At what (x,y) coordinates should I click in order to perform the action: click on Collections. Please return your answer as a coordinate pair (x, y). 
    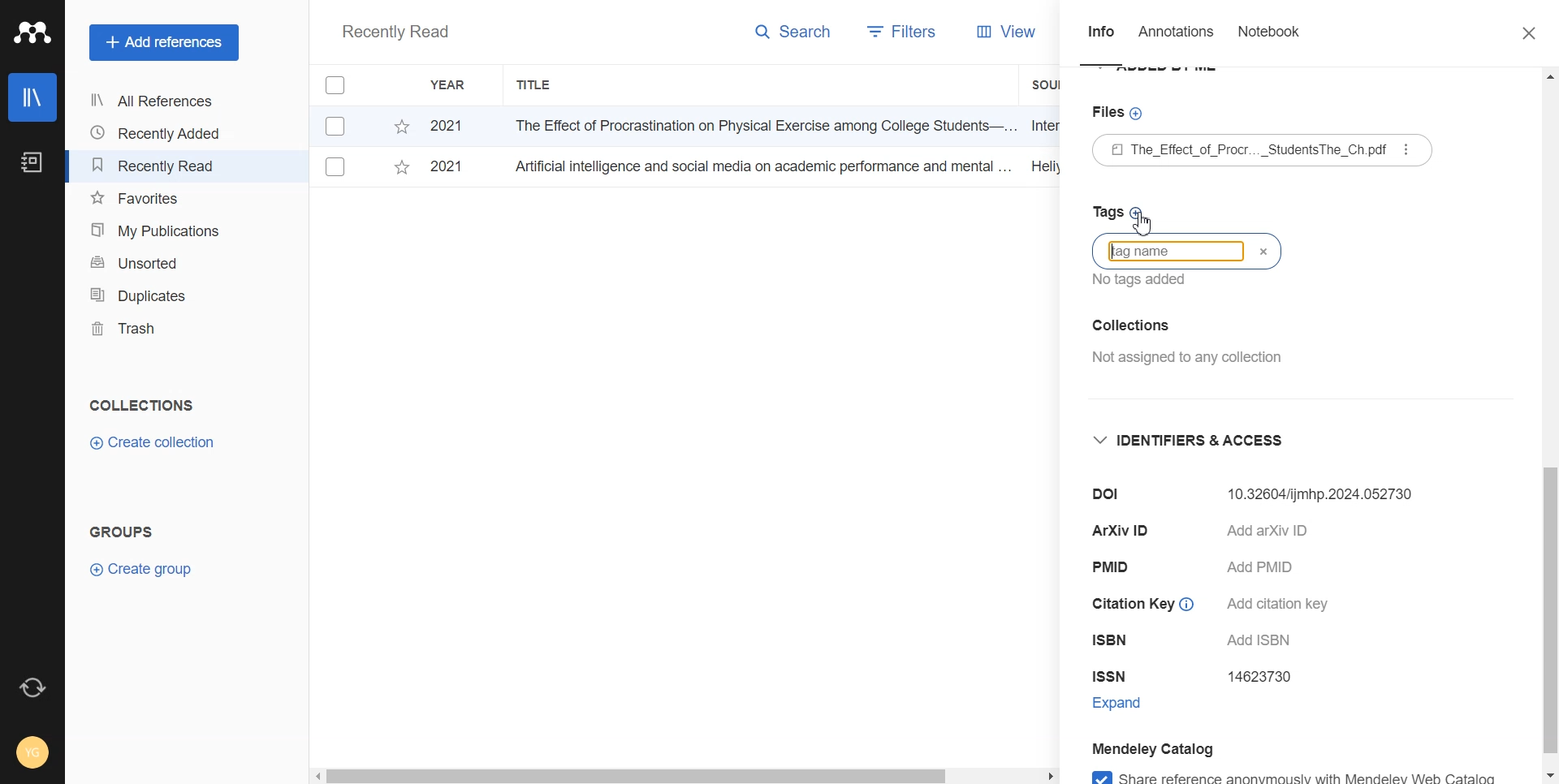
    Looking at the image, I should click on (141, 405).